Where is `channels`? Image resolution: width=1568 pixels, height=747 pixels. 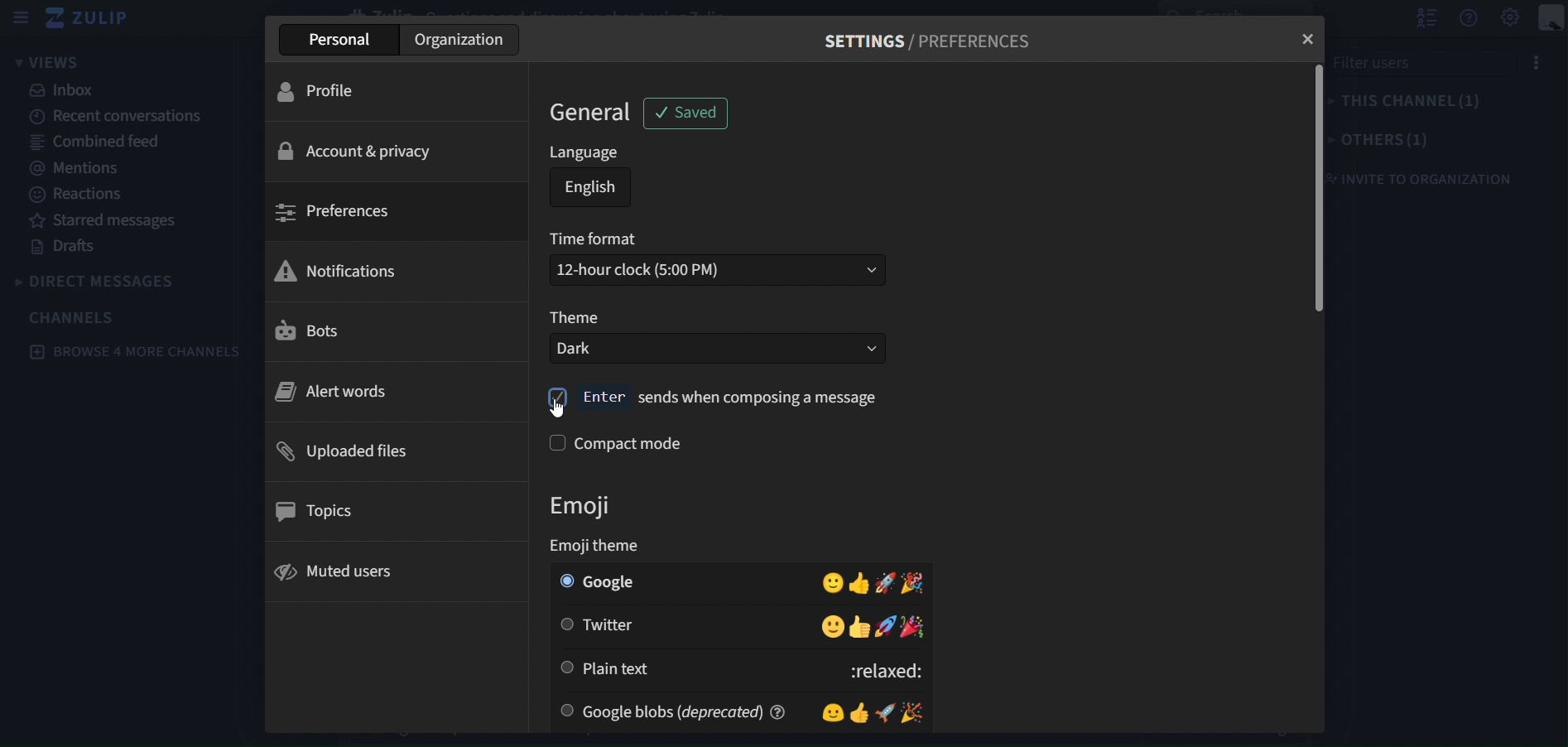 channels is located at coordinates (75, 317).